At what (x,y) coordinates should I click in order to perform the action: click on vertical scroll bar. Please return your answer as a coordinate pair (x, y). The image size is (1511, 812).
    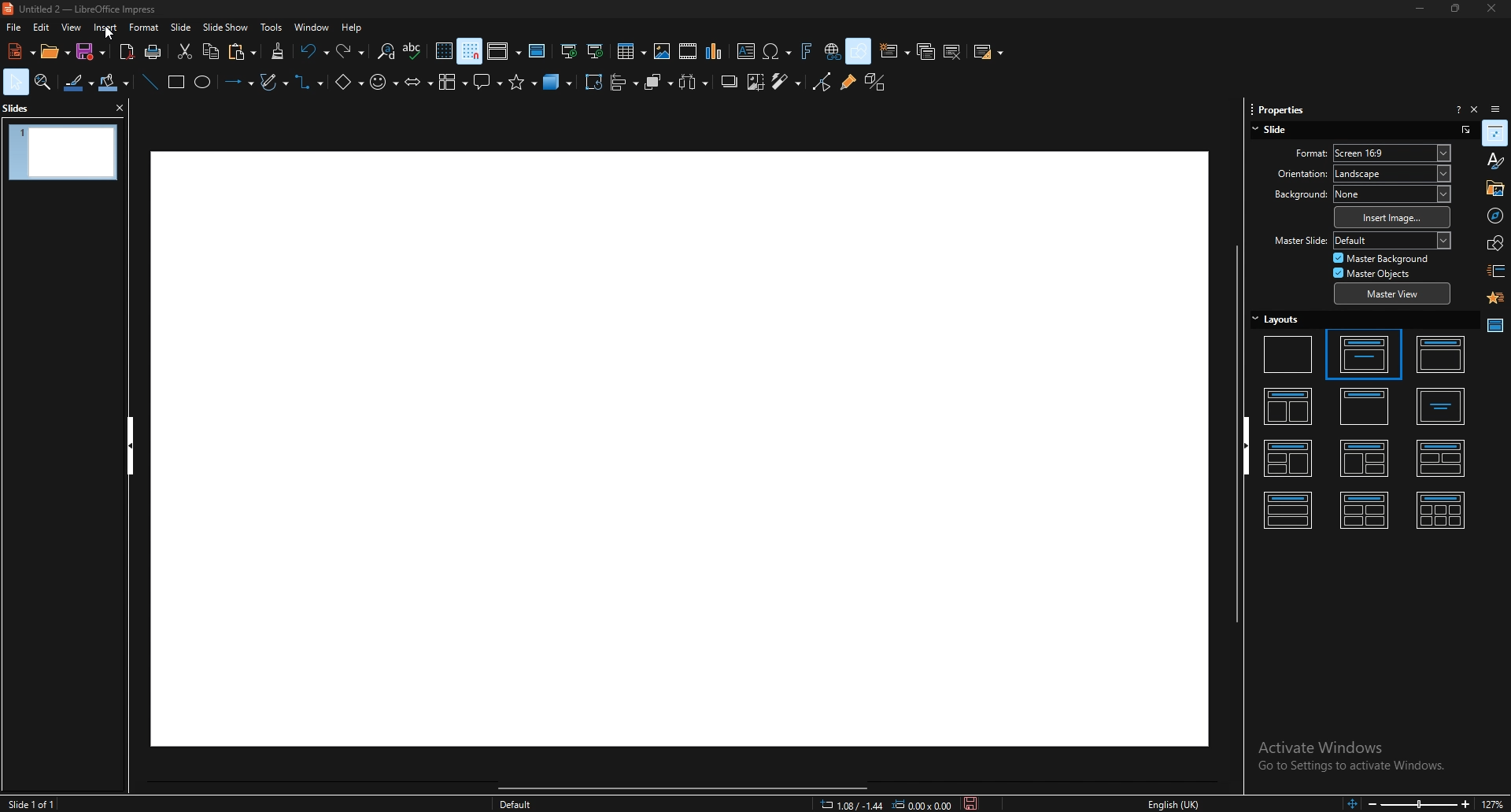
    Looking at the image, I should click on (1228, 432).